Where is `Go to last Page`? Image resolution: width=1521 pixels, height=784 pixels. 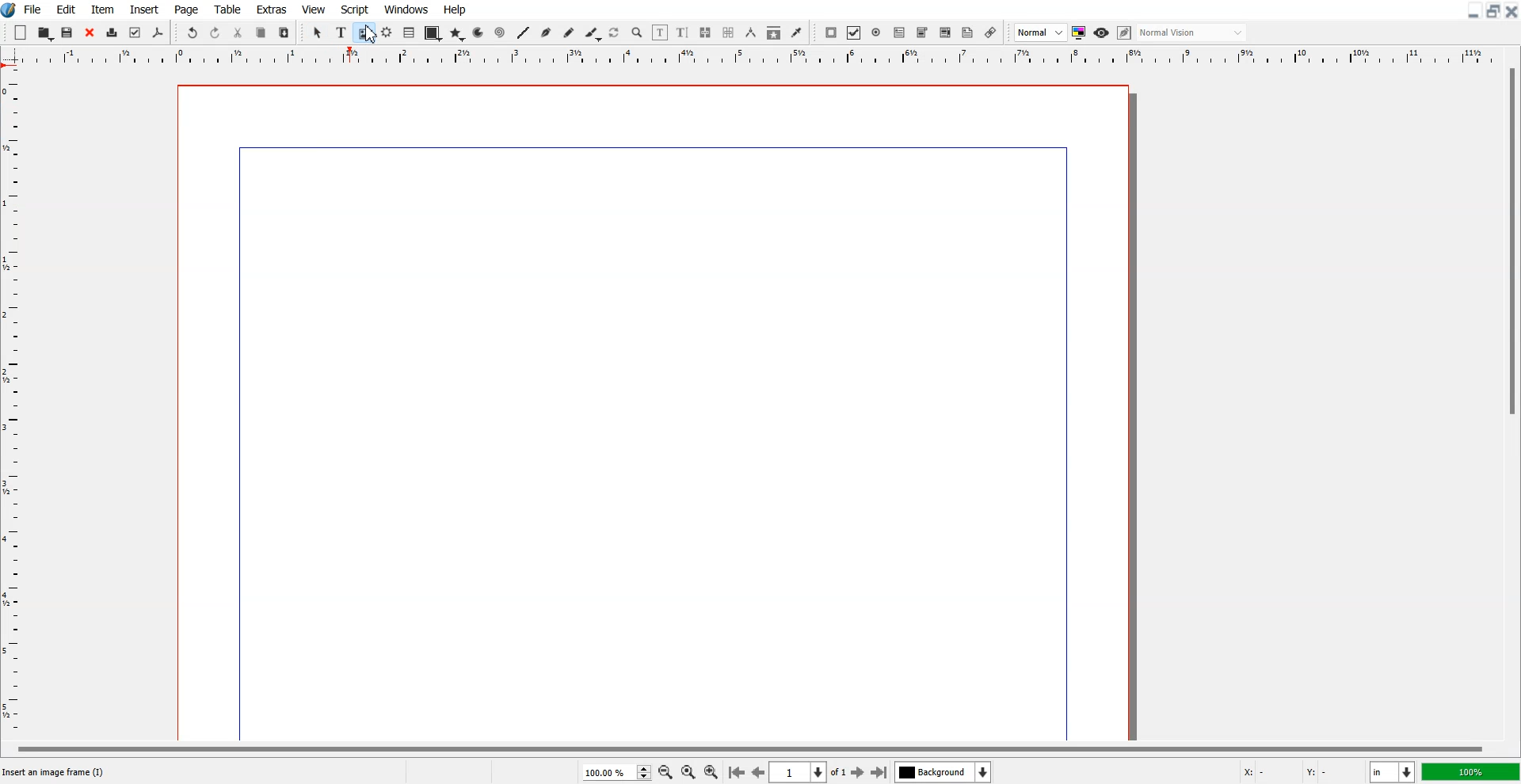 Go to last Page is located at coordinates (879, 772).